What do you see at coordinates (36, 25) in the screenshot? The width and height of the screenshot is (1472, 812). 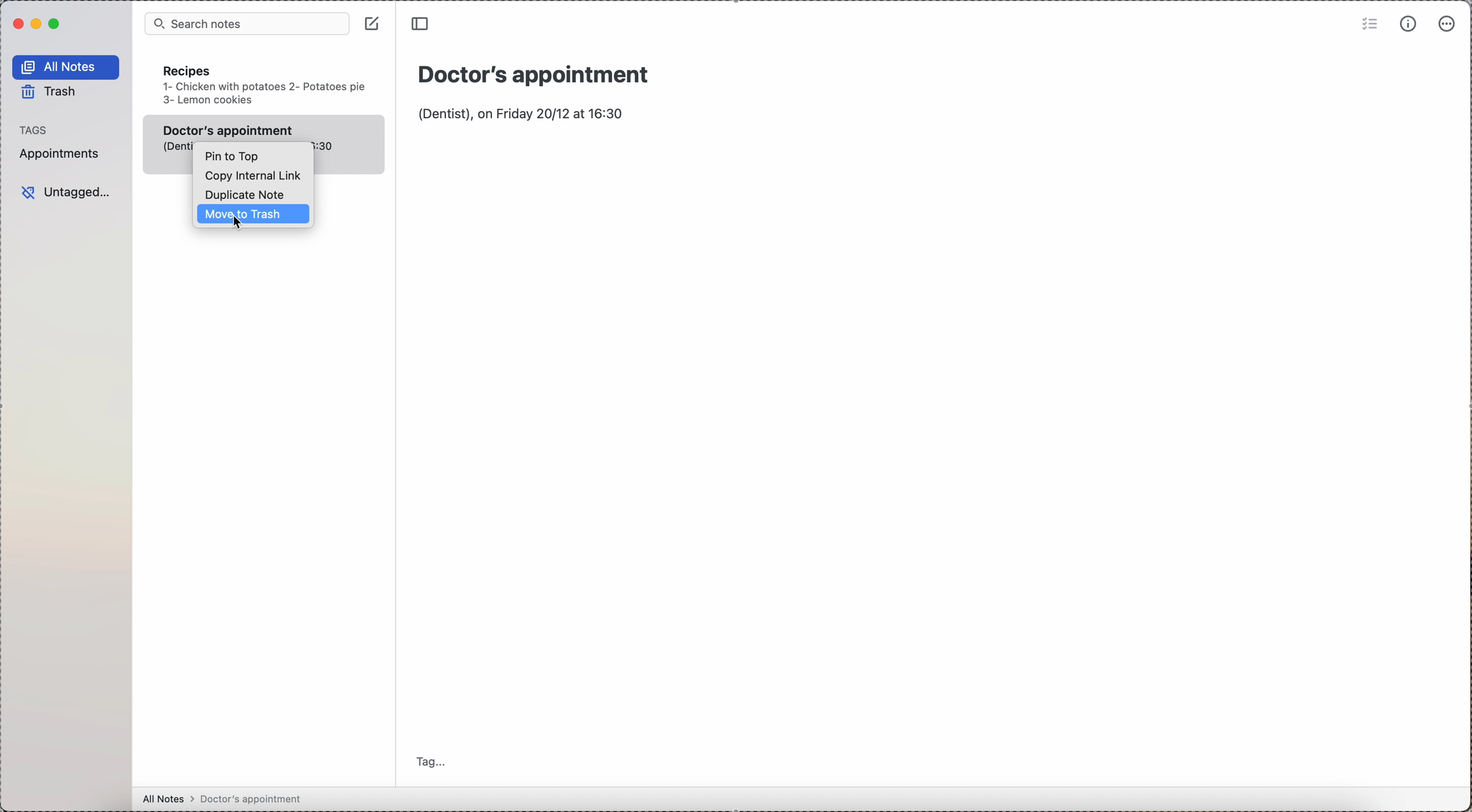 I see `minimize Simplenote` at bounding box center [36, 25].